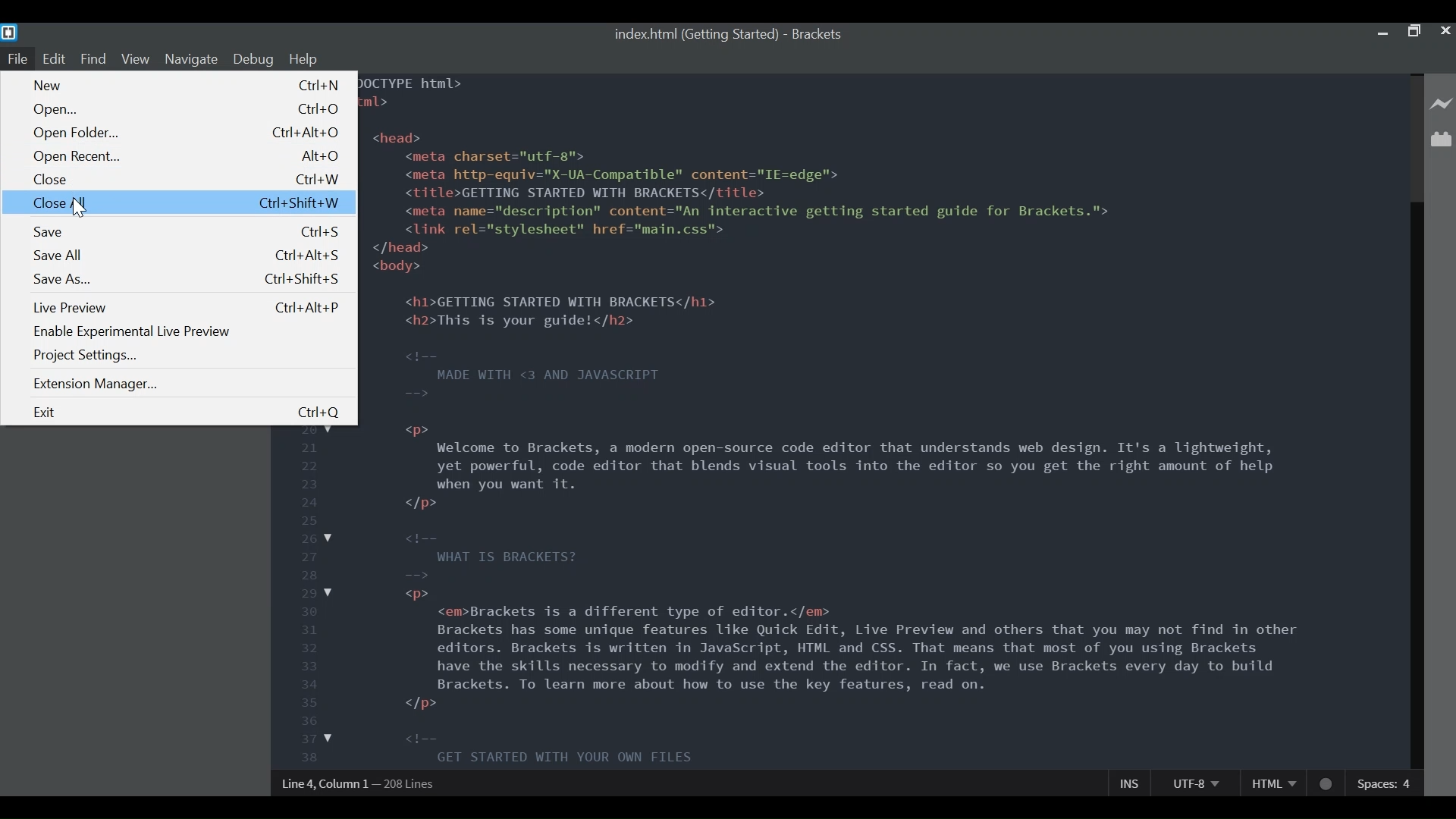 This screenshot has width=1456, height=819. I want to click on Vertical Scroll bar, so click(1416, 484).